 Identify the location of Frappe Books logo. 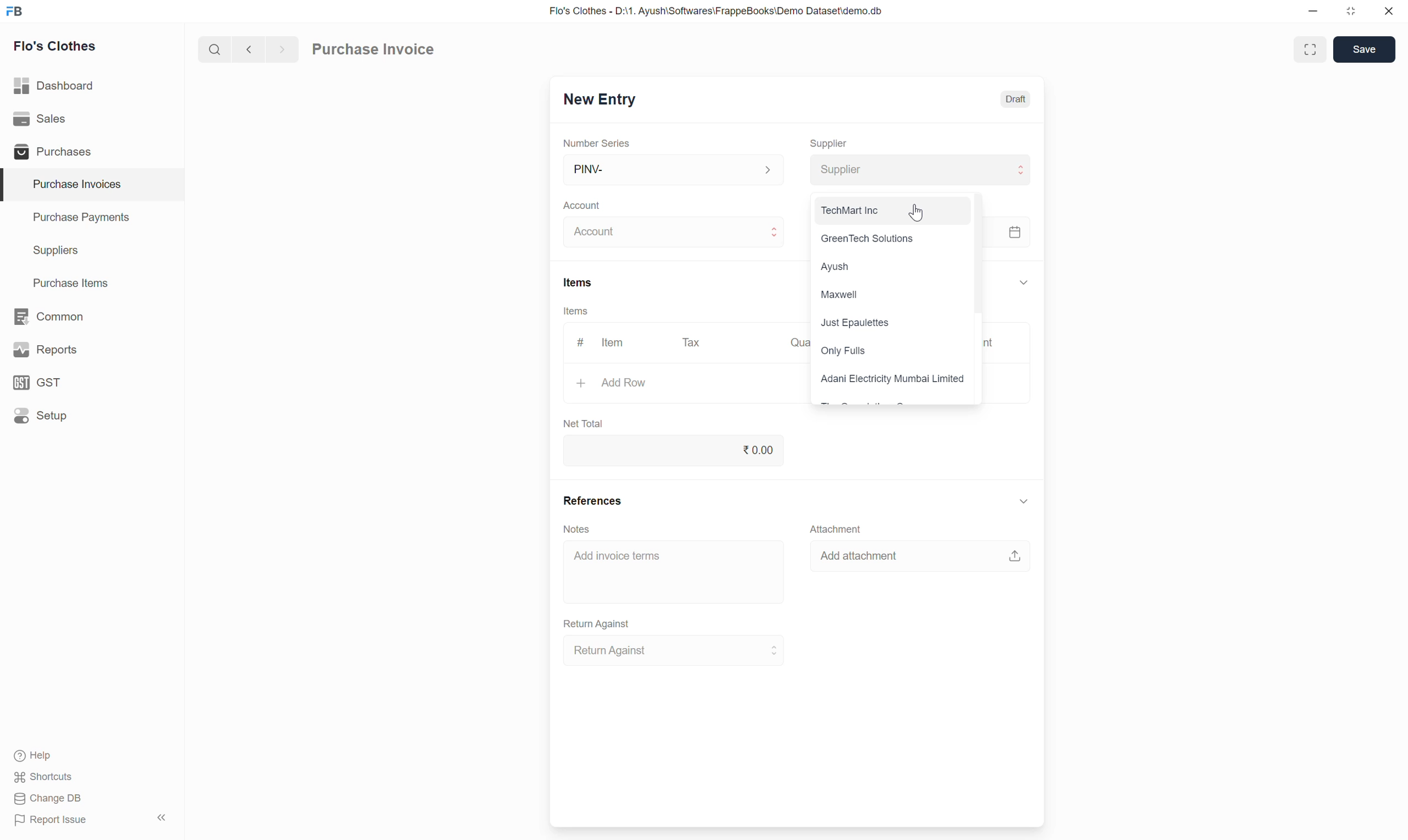
(14, 11).